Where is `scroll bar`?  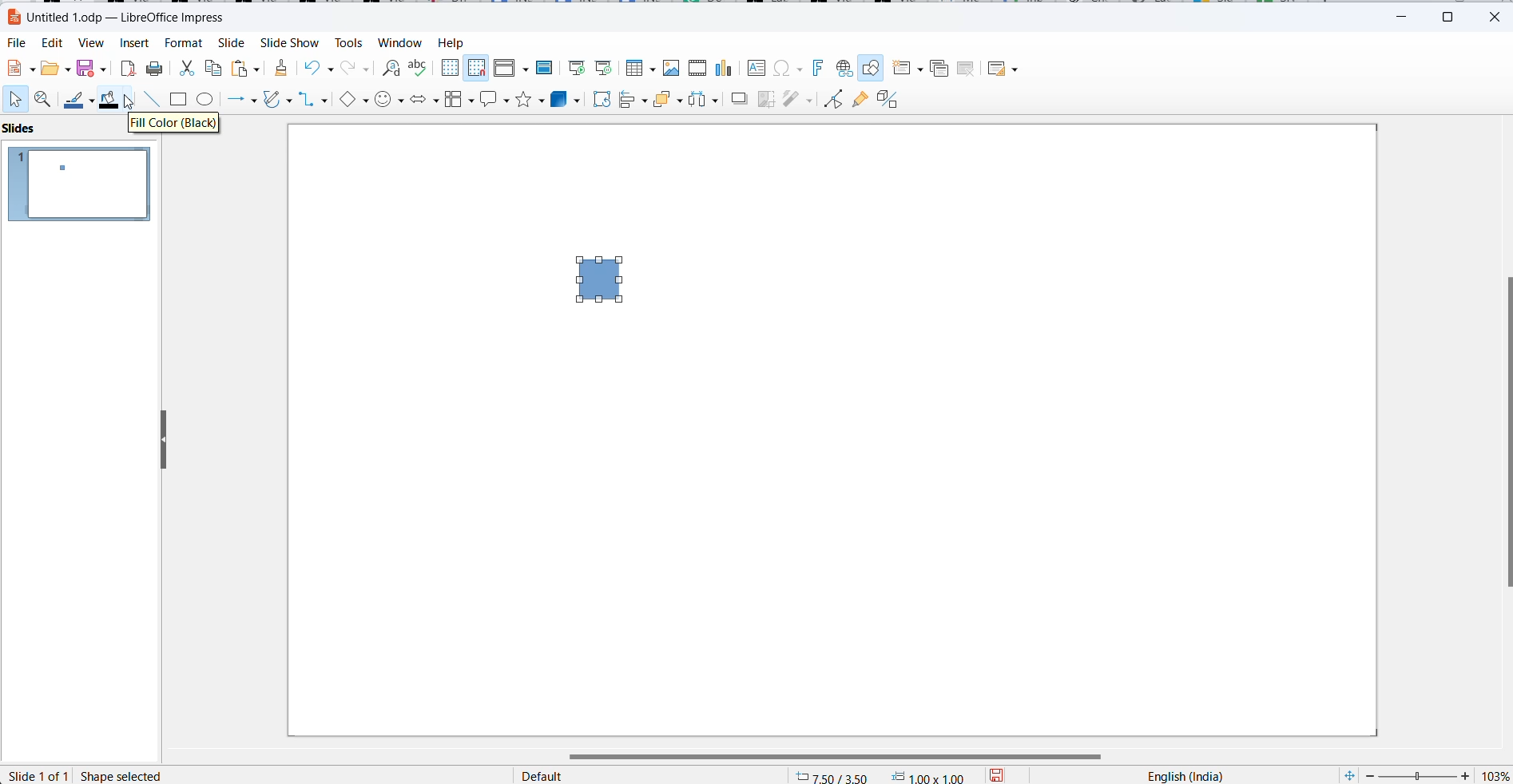 scroll bar is located at coordinates (1503, 433).